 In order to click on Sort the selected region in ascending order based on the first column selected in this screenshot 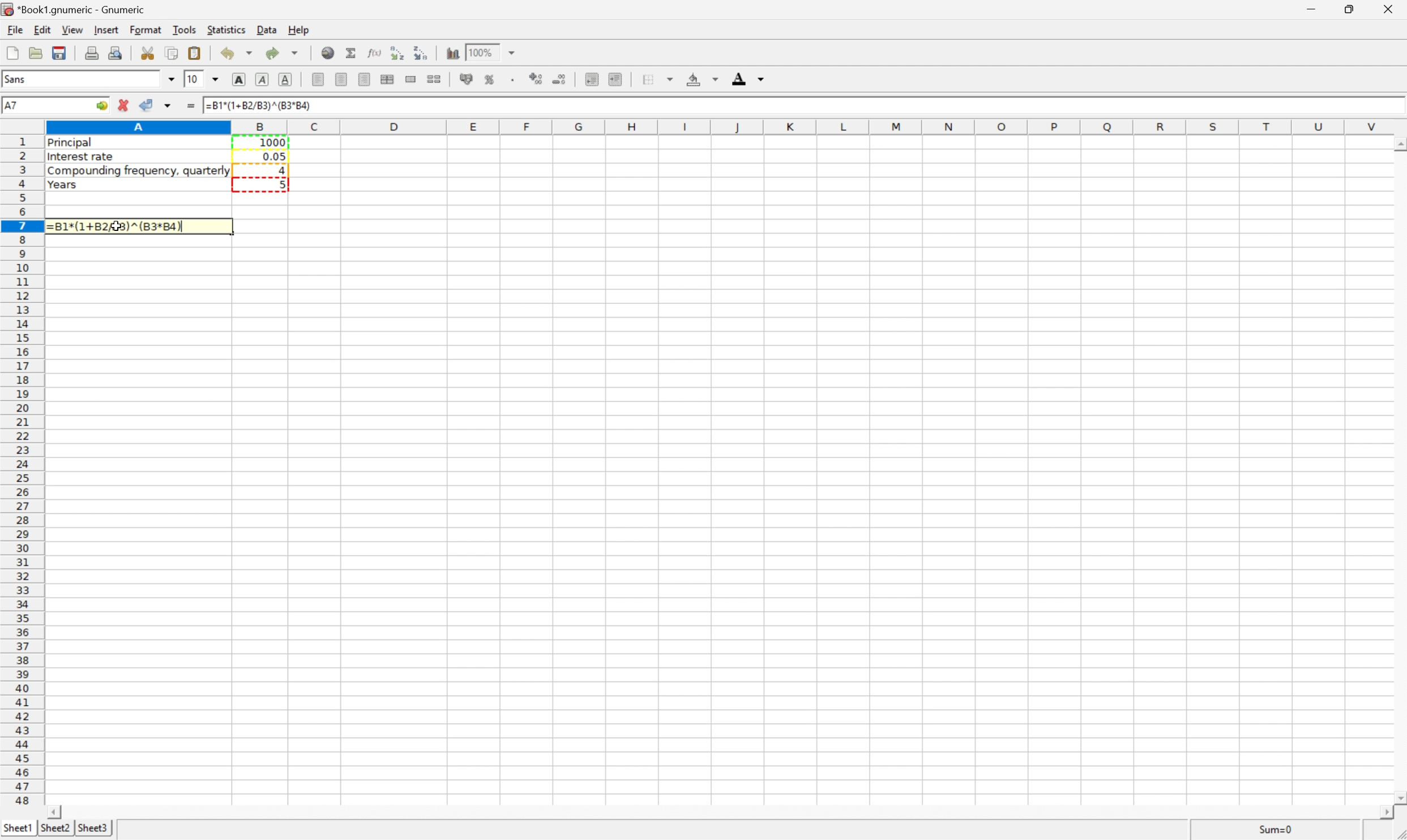, I will do `click(399, 52)`.